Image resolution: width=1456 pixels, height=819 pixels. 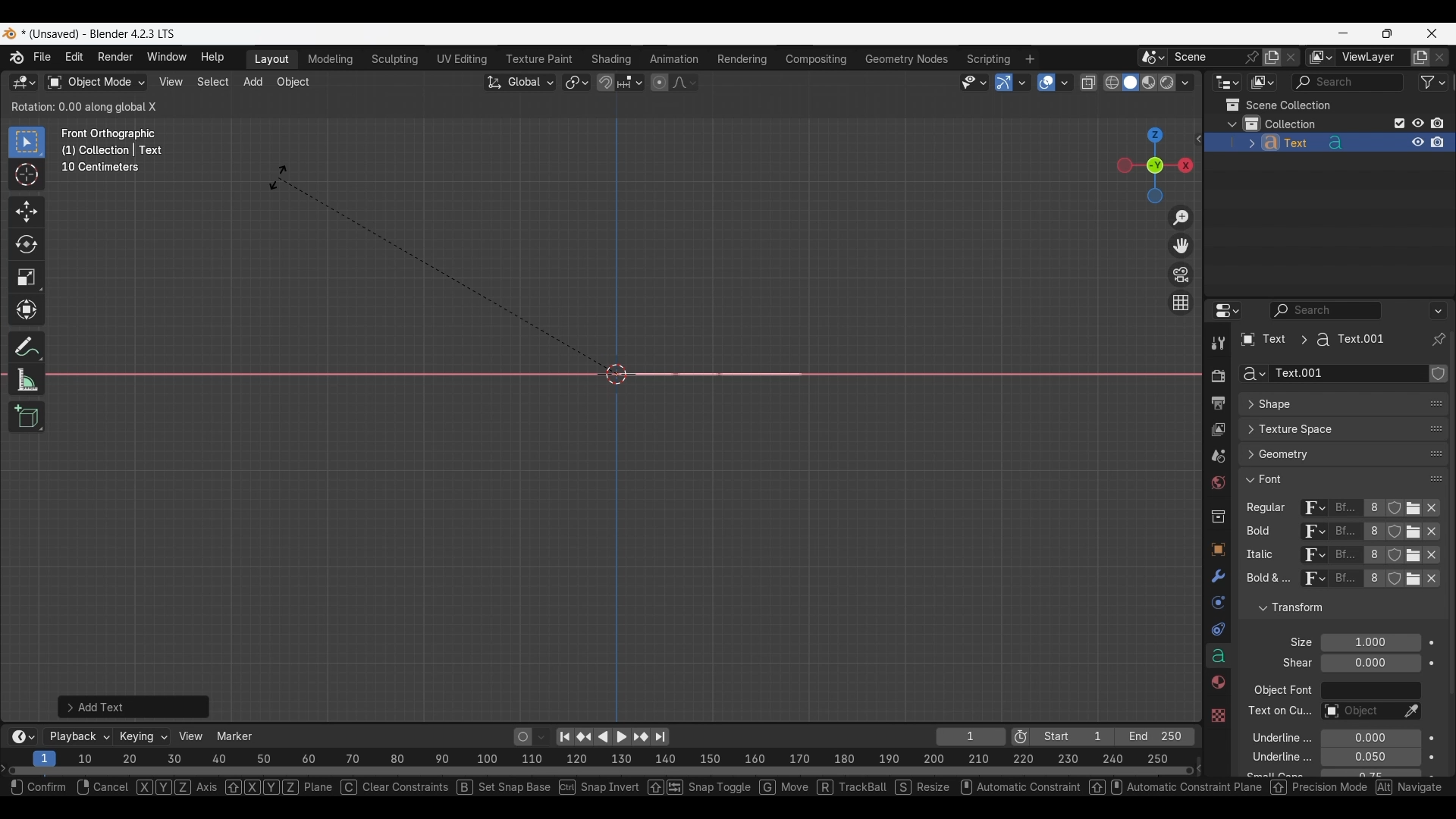 What do you see at coordinates (785, 789) in the screenshot?
I see `move` at bounding box center [785, 789].